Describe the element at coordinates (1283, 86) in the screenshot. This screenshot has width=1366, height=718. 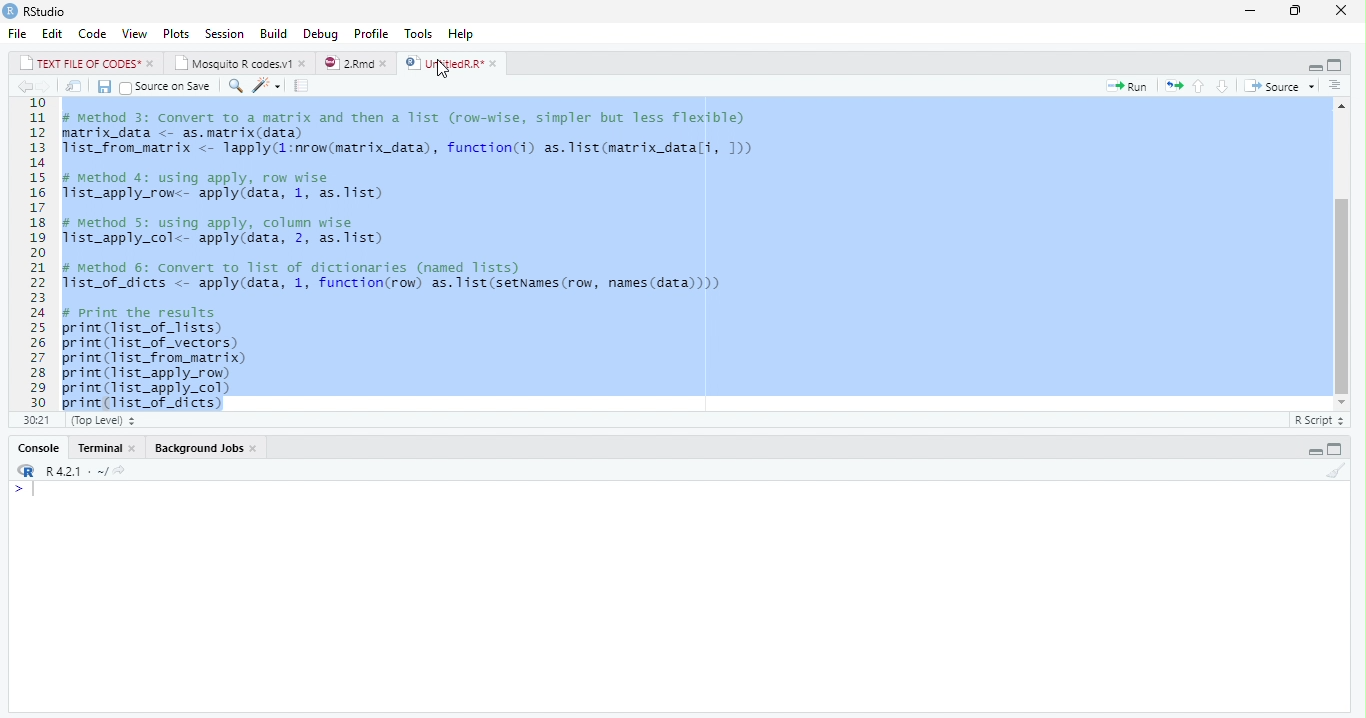
I see `source` at that location.